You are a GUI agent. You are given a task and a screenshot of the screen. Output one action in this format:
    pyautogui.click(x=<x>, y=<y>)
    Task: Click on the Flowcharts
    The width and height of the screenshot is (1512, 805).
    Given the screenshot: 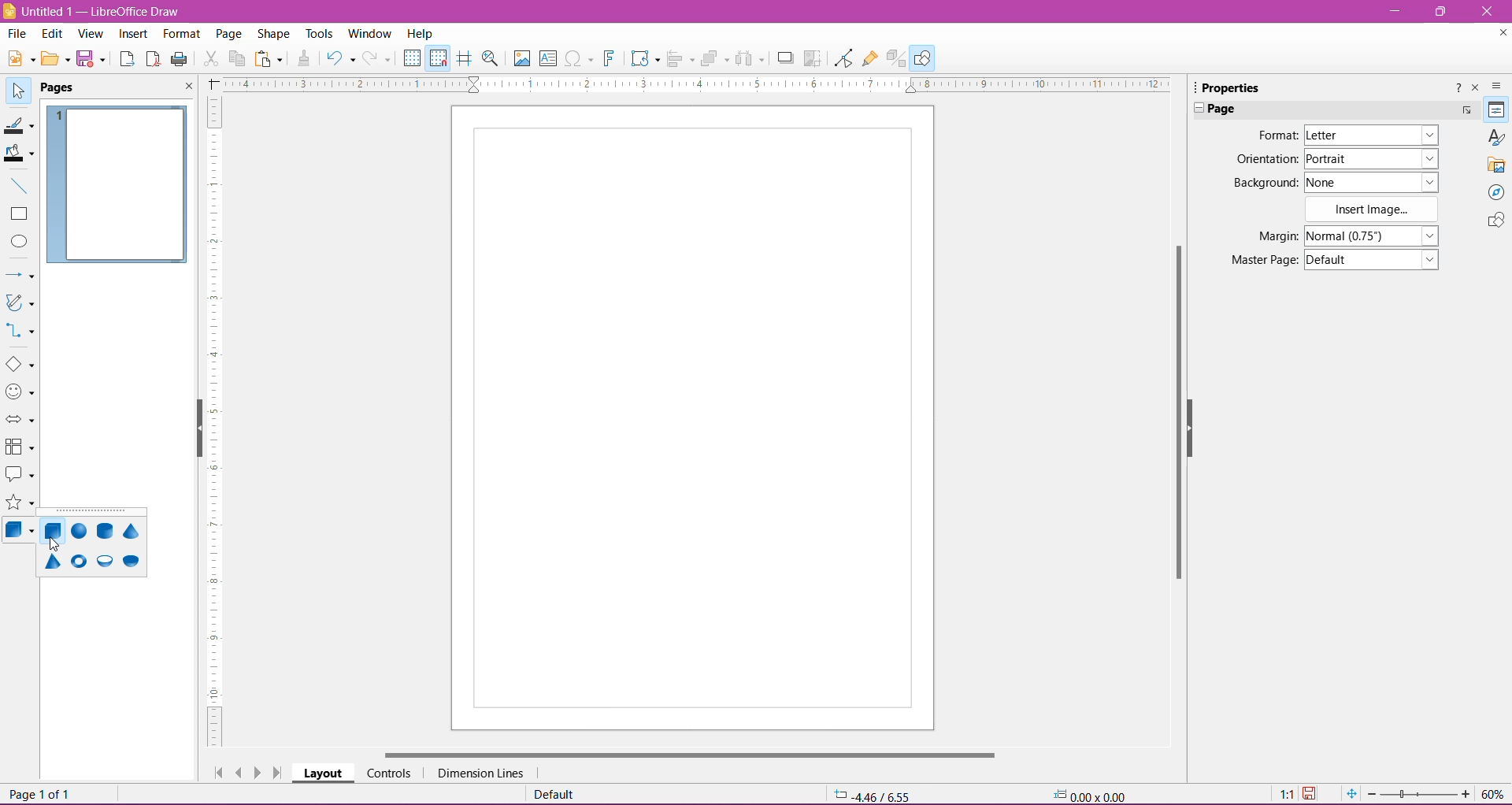 What is the action you would take?
    pyautogui.click(x=20, y=447)
    